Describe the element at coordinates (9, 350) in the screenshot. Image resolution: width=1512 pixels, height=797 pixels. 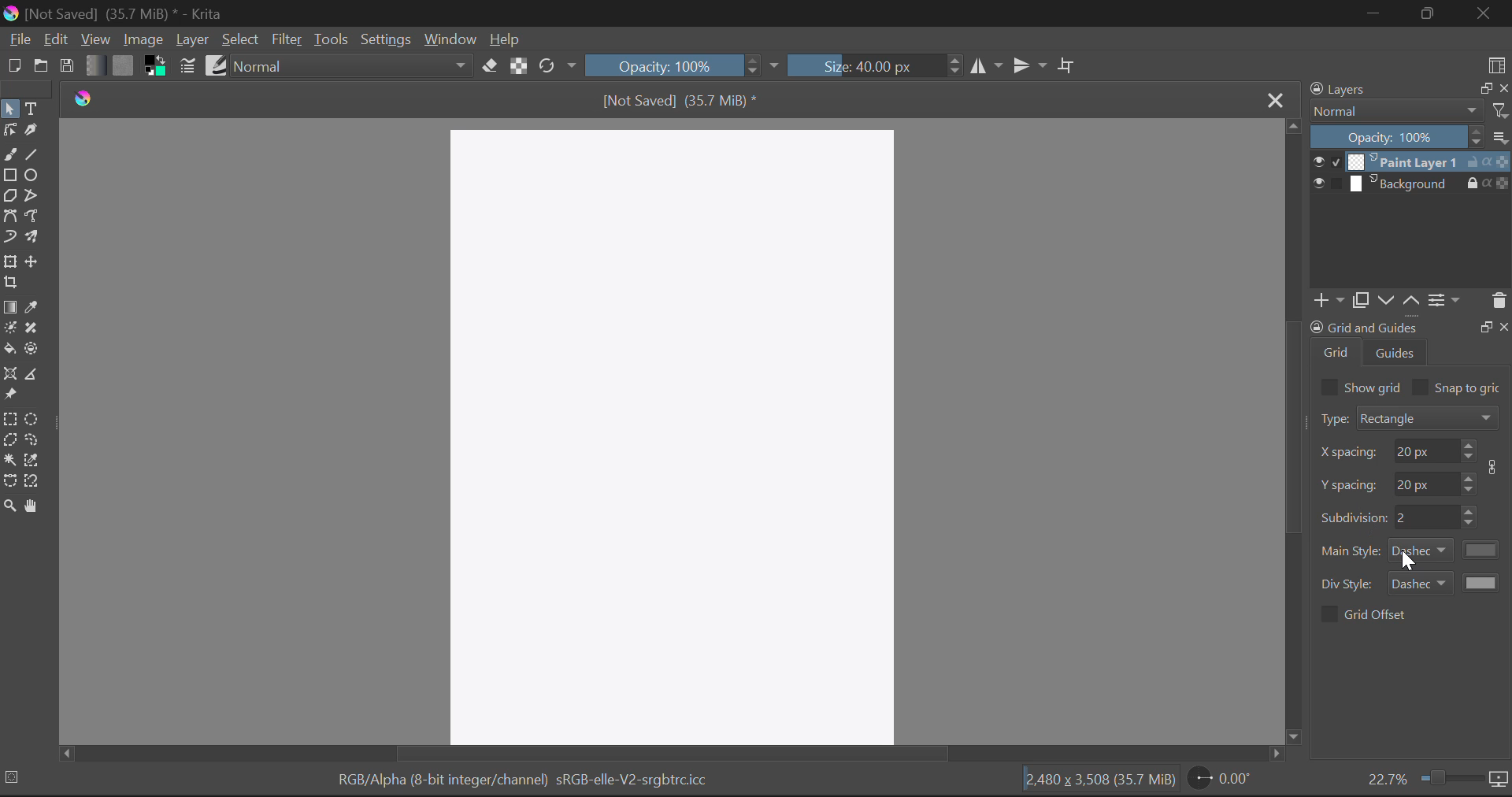
I see `Fill` at that location.